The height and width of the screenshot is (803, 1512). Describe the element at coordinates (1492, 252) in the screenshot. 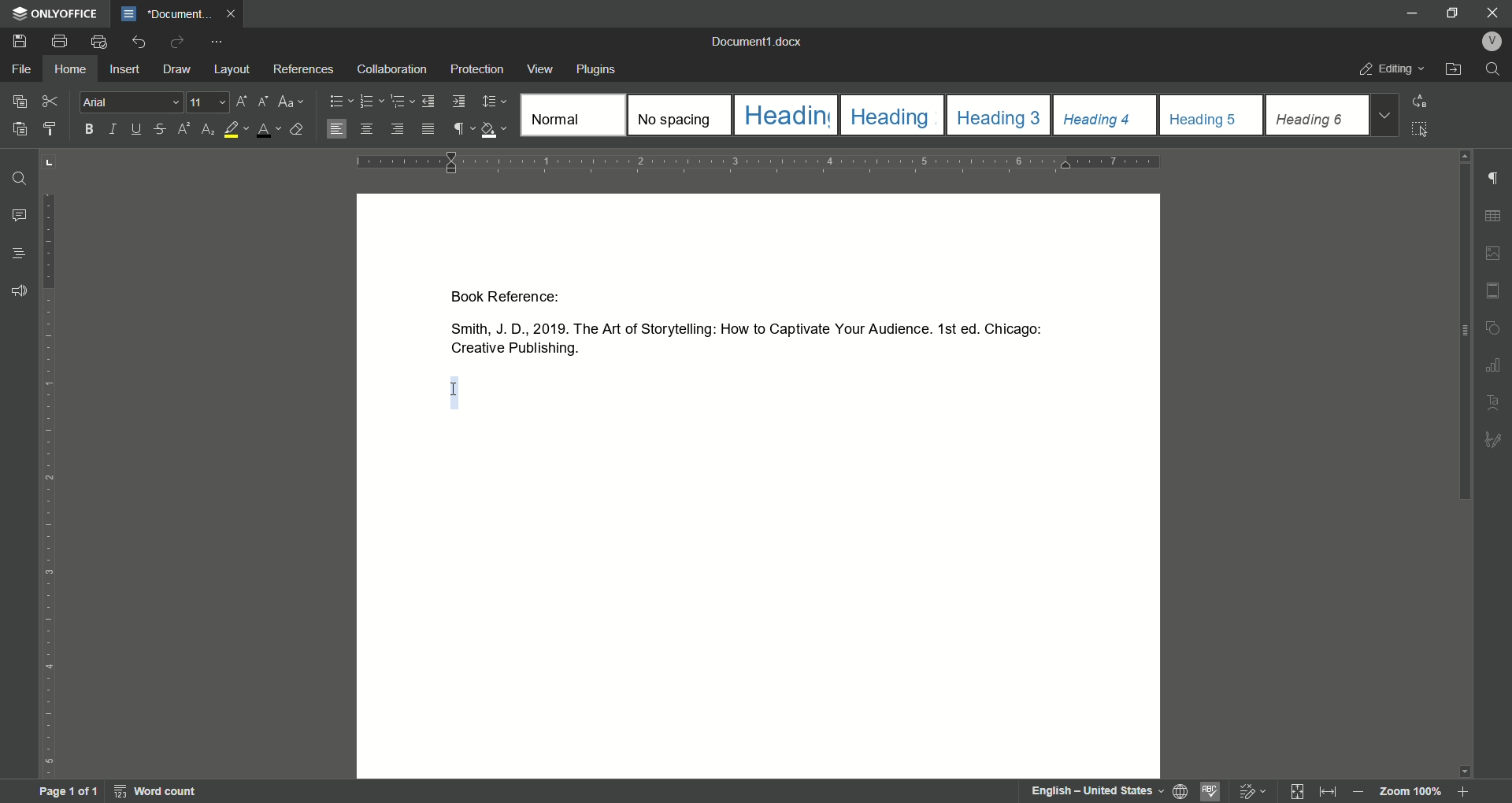

I see `image` at that location.